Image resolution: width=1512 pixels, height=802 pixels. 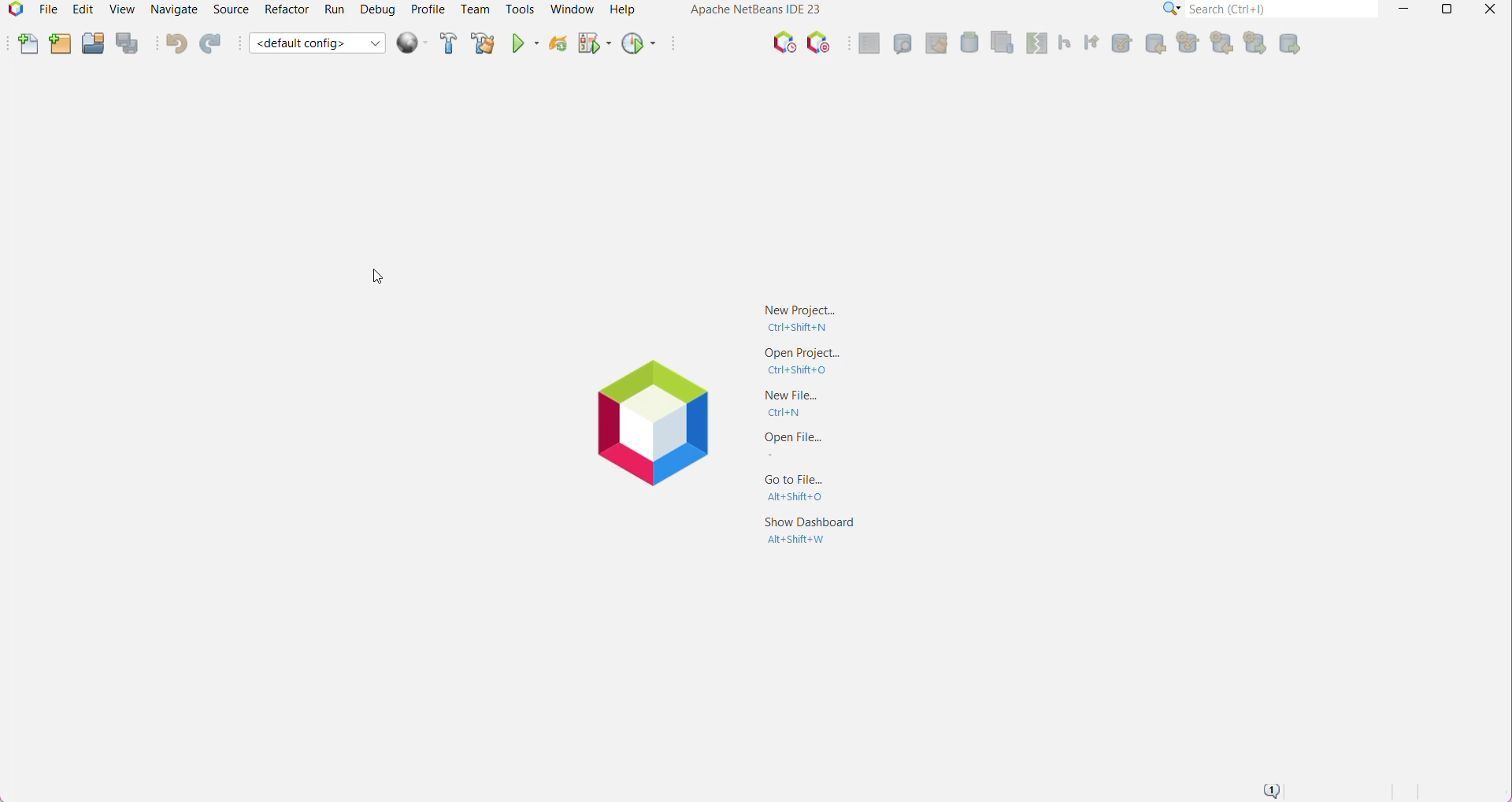 I want to click on Run Main Project, so click(x=524, y=44).